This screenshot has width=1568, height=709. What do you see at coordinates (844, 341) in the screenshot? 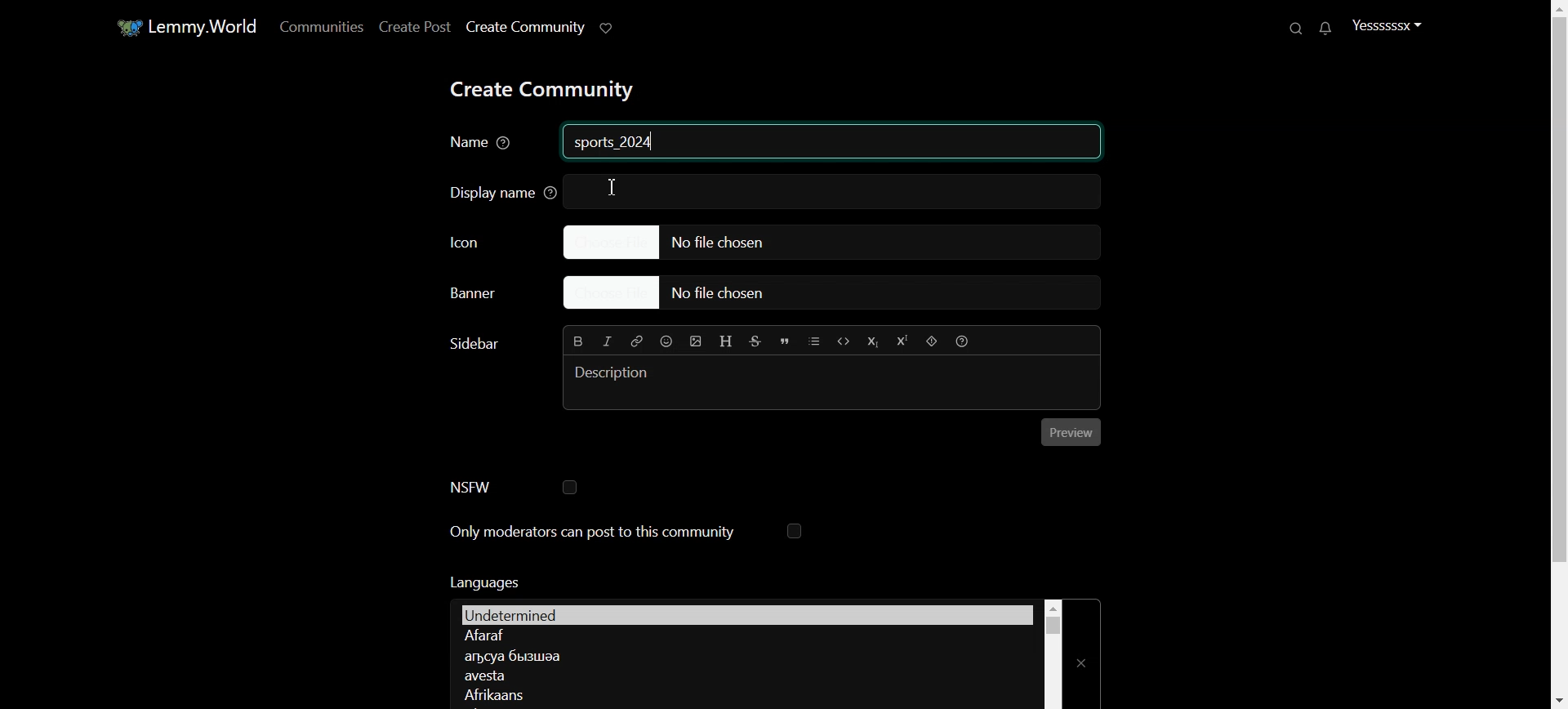
I see `Code` at bounding box center [844, 341].